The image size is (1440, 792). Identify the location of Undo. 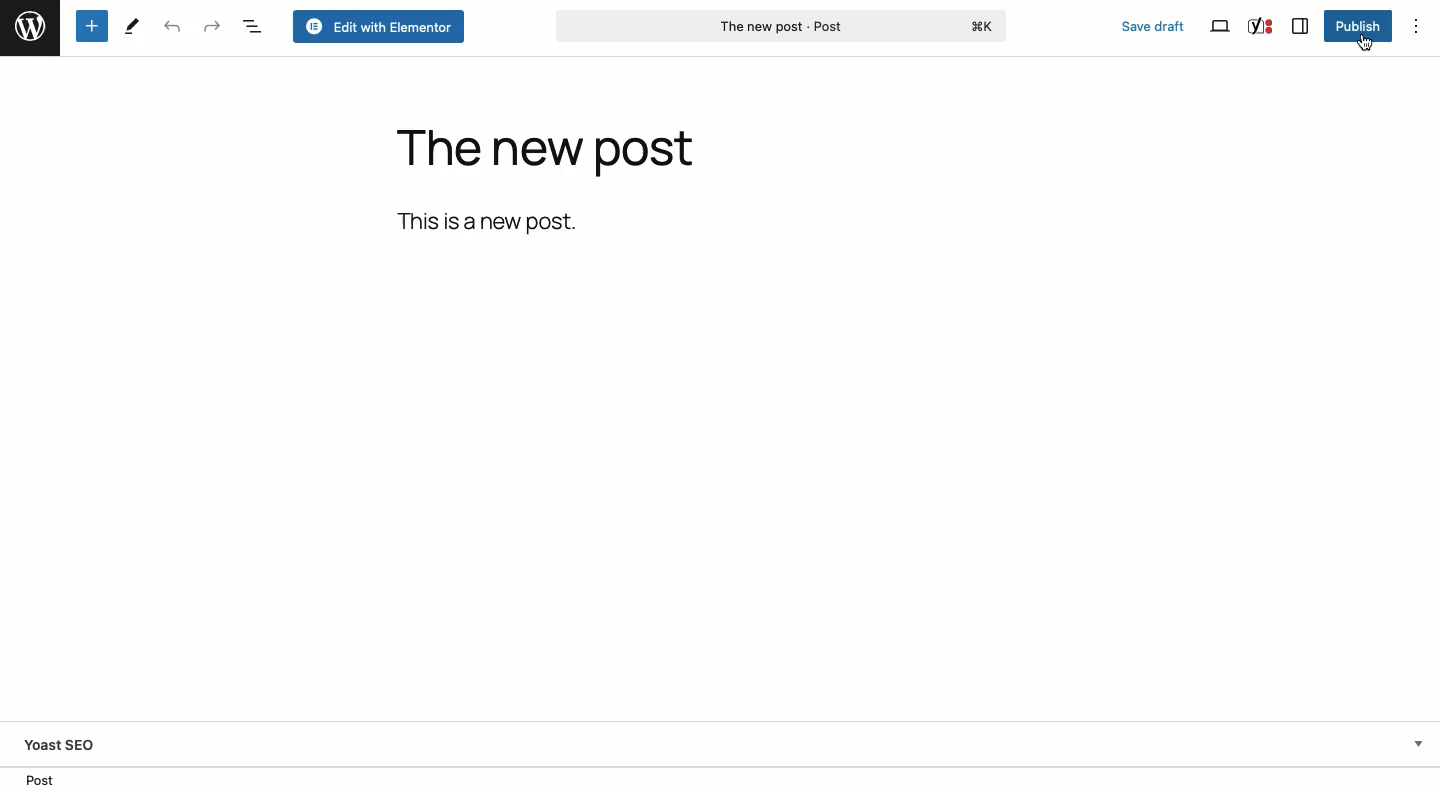
(172, 27).